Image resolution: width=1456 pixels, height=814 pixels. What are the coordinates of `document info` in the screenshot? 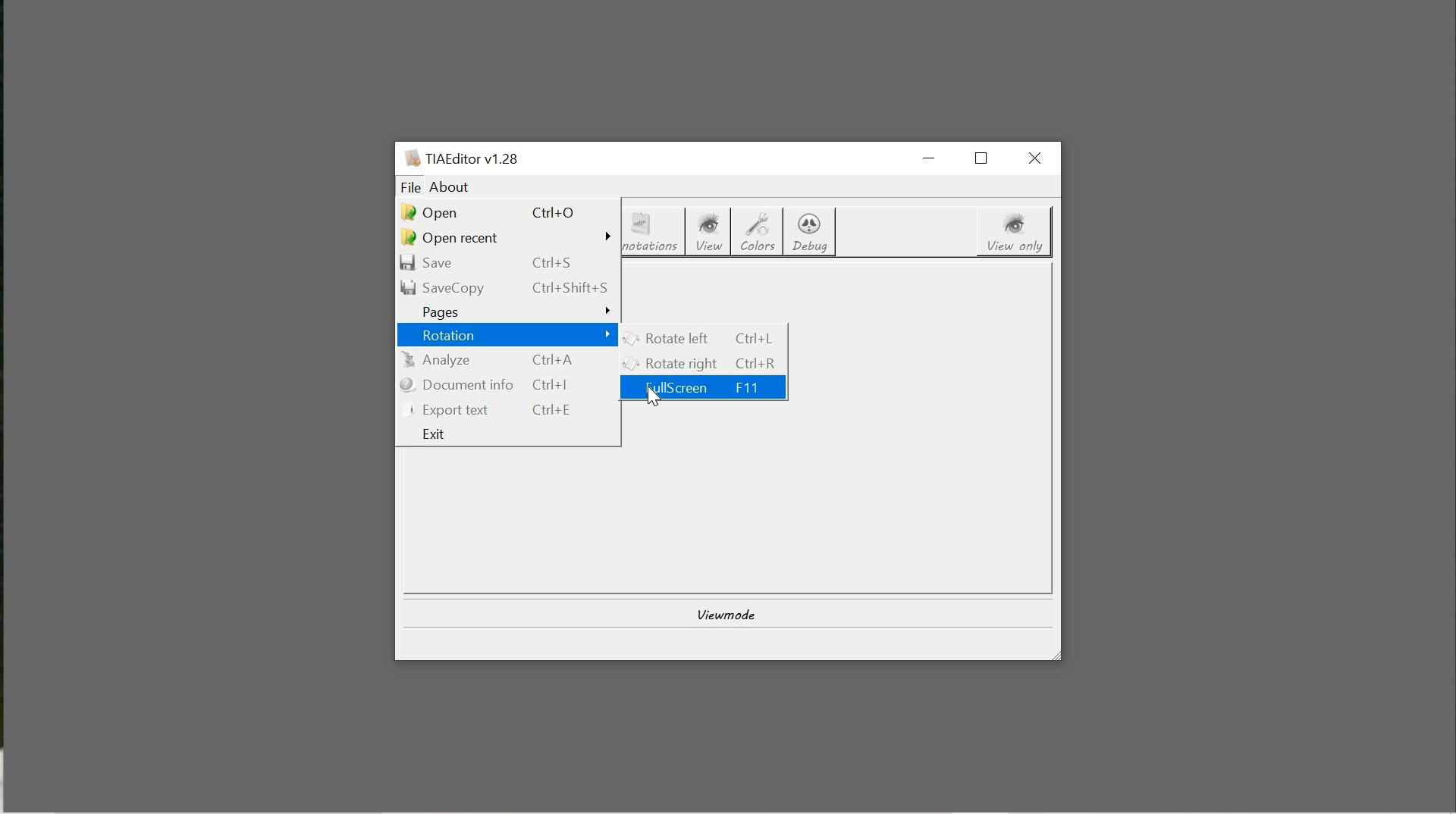 It's located at (510, 384).